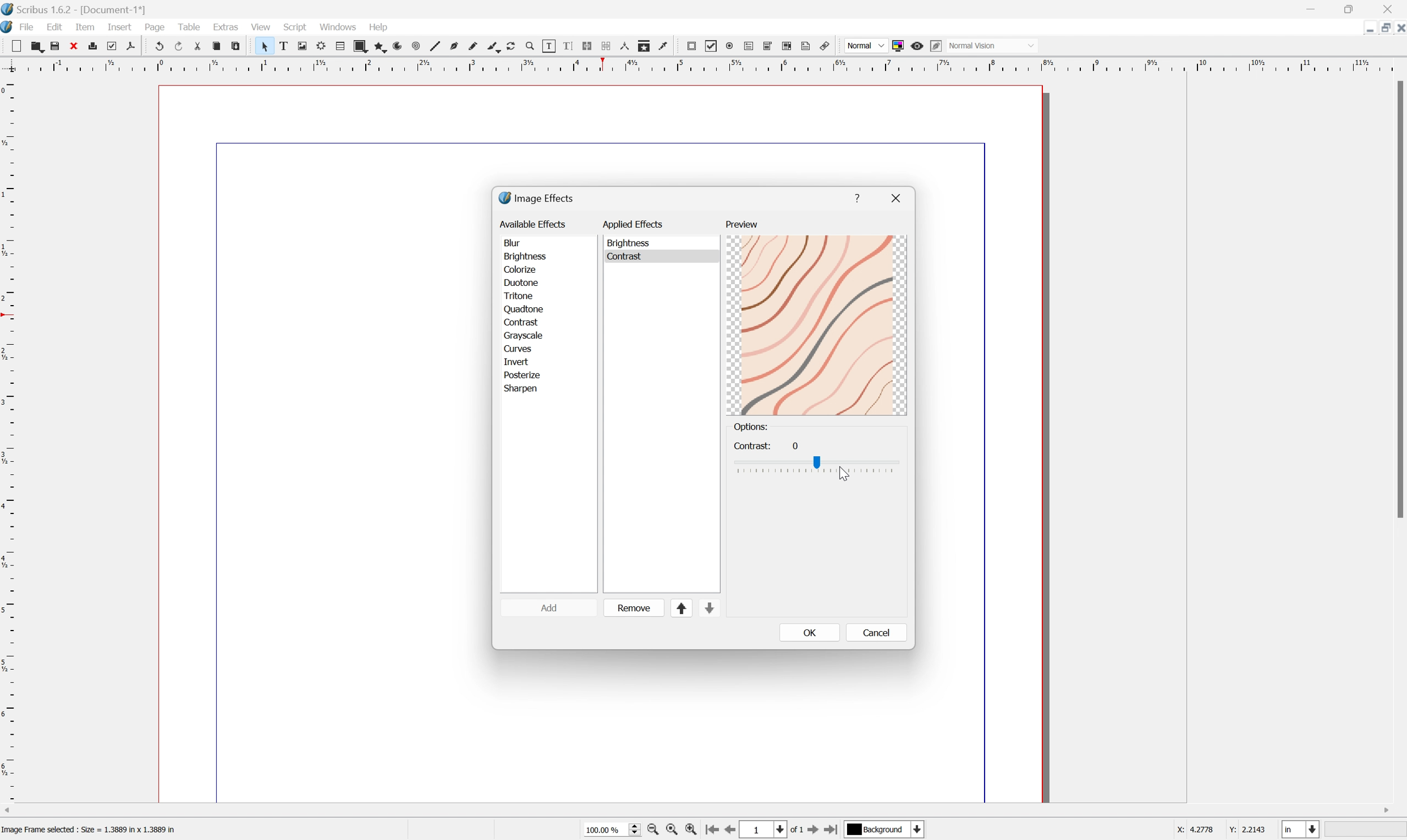 This screenshot has height=840, width=1407. I want to click on Script, so click(296, 28).